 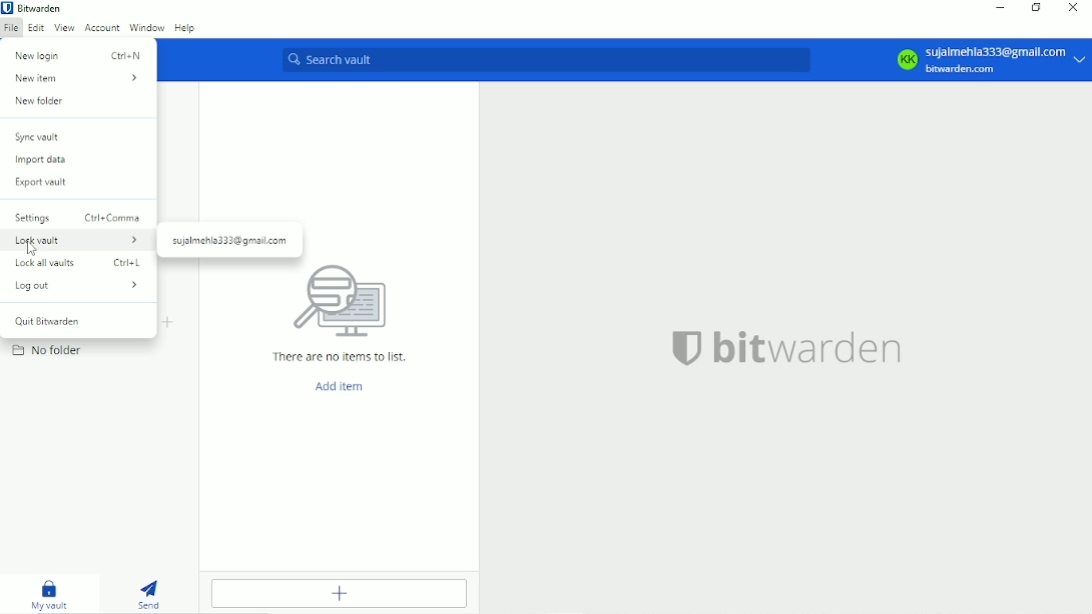 What do you see at coordinates (232, 242) in the screenshot?
I see `sujalmehla333@gmall.com` at bounding box center [232, 242].